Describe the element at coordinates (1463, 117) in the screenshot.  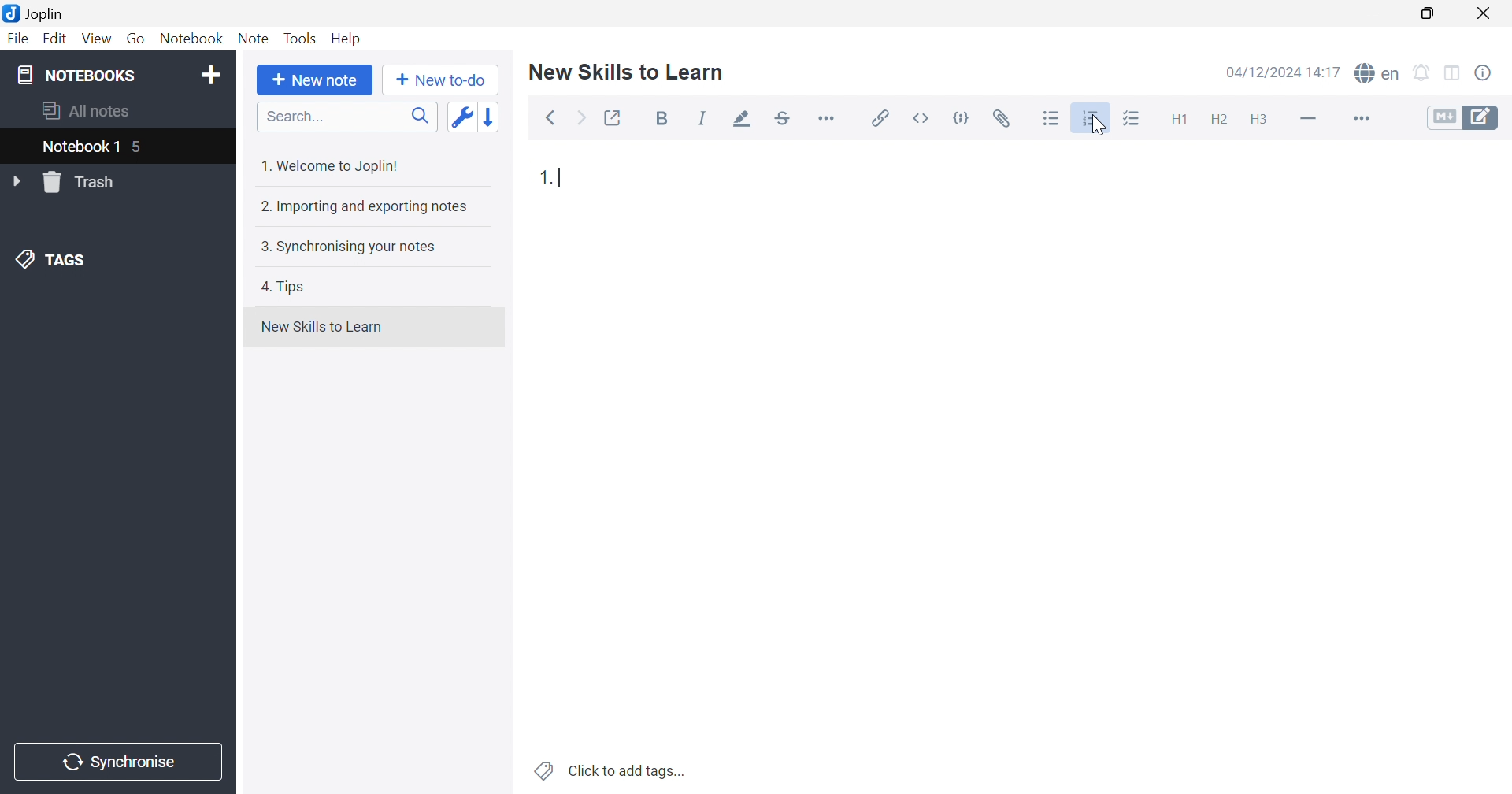
I see `Toggle editors` at that location.